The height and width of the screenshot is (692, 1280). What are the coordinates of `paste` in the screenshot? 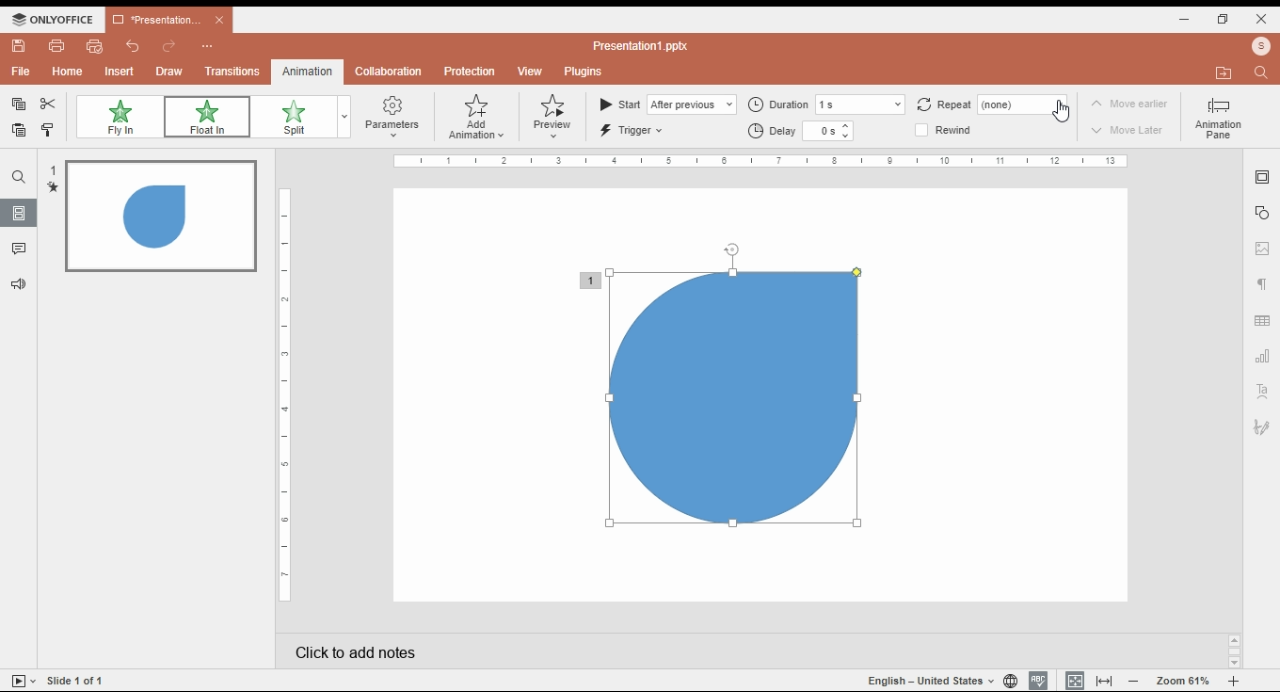 It's located at (20, 129).